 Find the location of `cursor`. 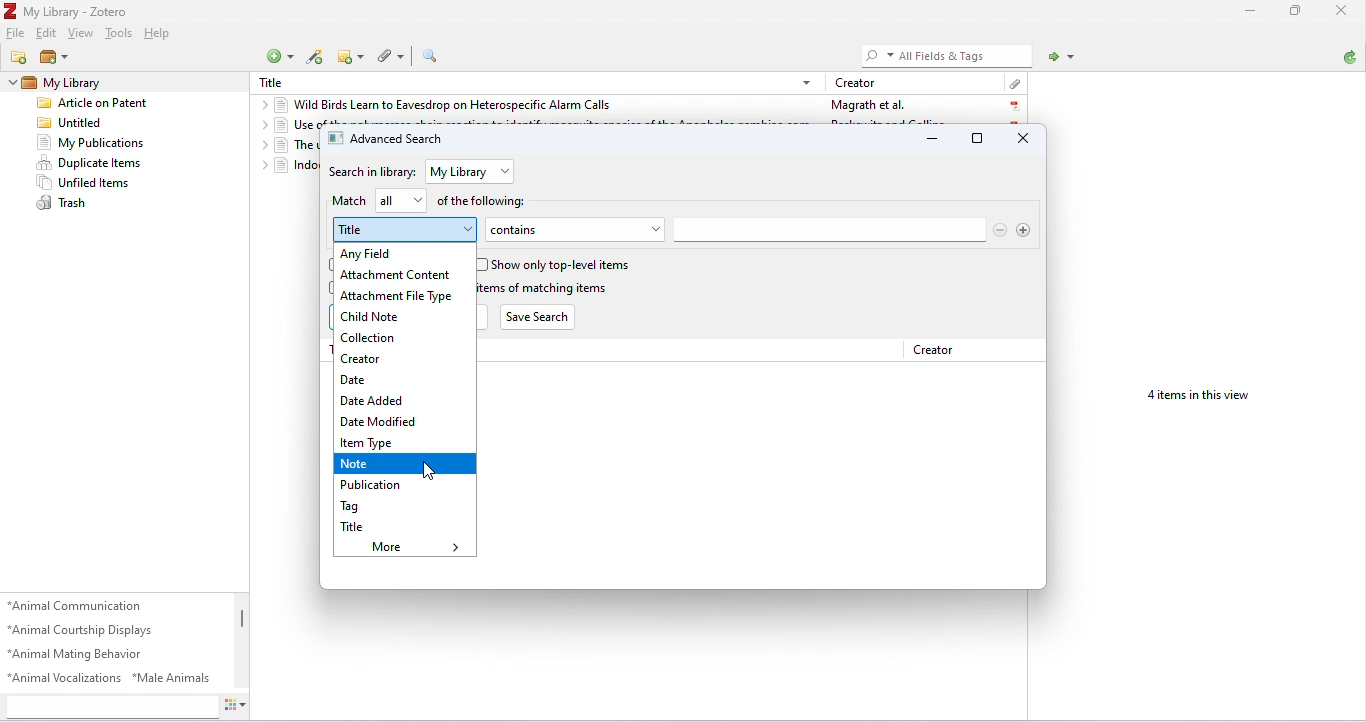

cursor is located at coordinates (431, 473).